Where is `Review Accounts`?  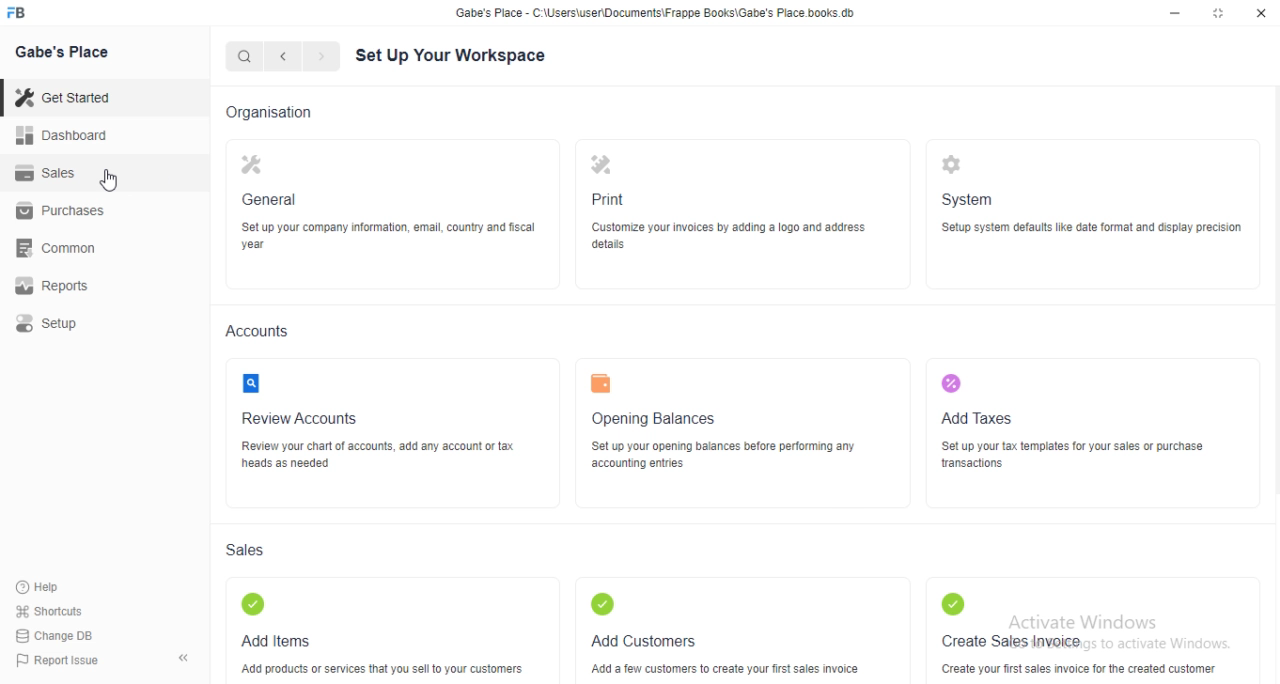
Review Accounts is located at coordinates (299, 418).